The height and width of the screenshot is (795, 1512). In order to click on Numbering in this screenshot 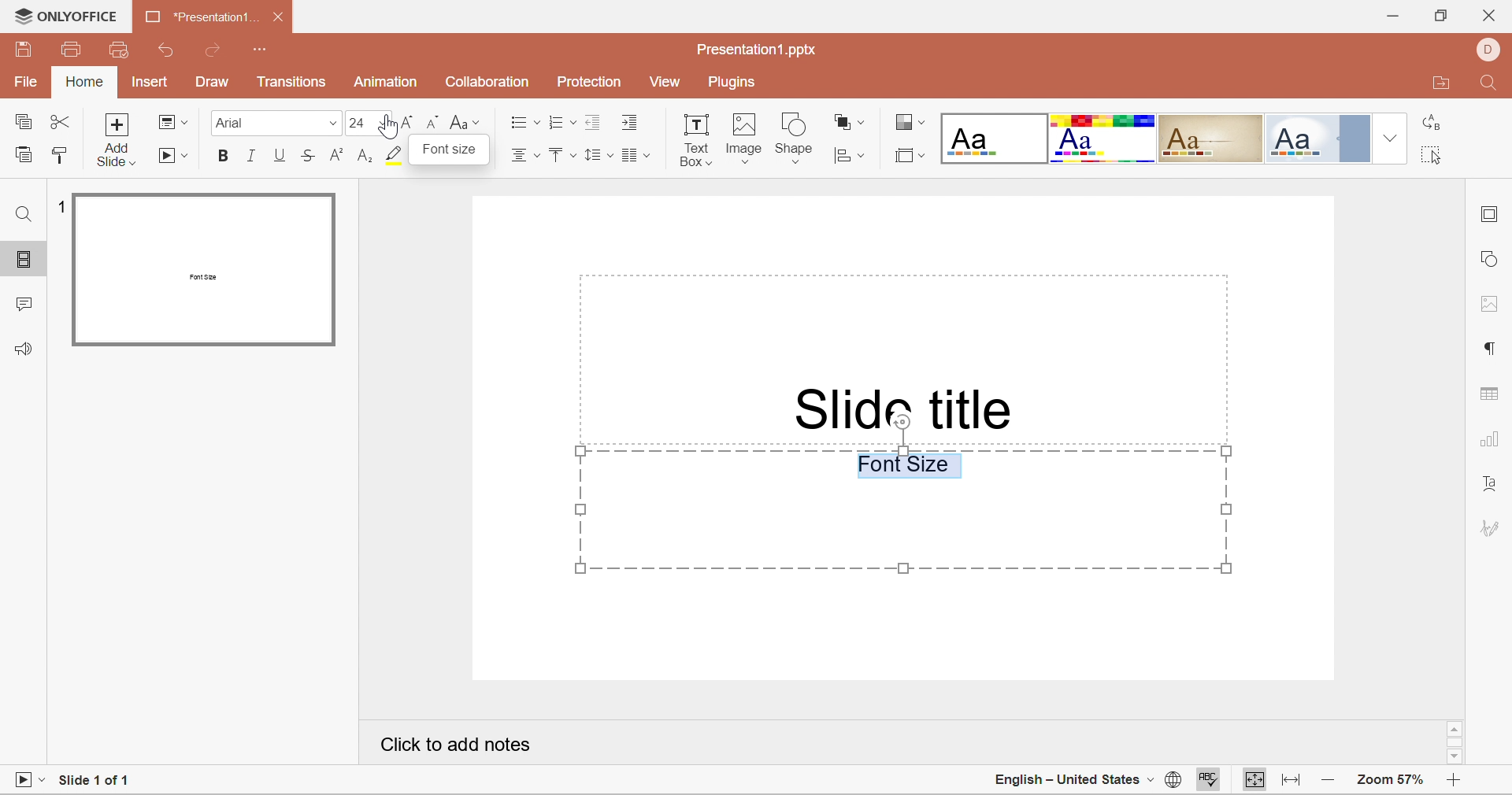, I will do `click(560, 122)`.